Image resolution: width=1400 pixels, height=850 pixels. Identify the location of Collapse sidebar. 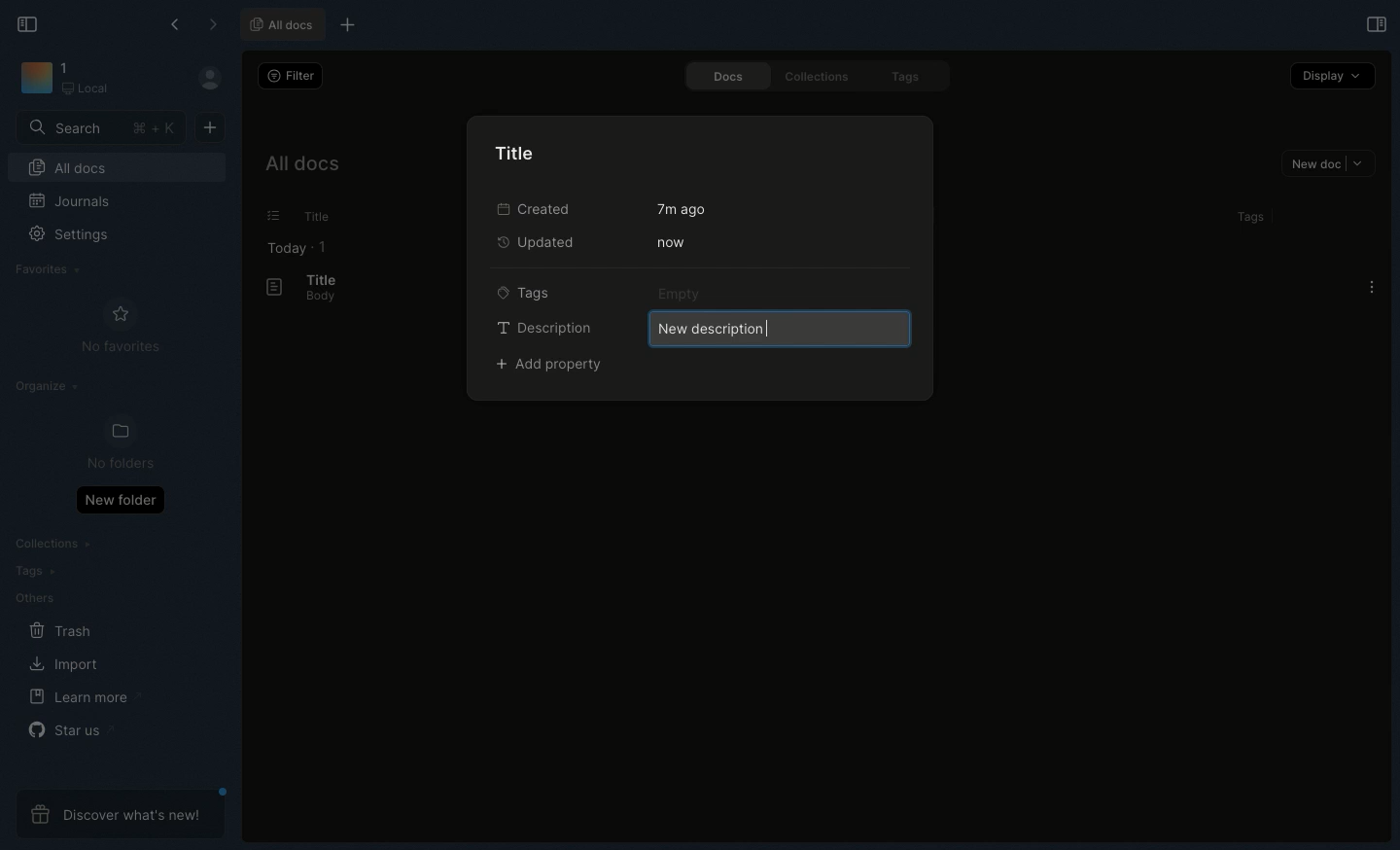
(28, 22).